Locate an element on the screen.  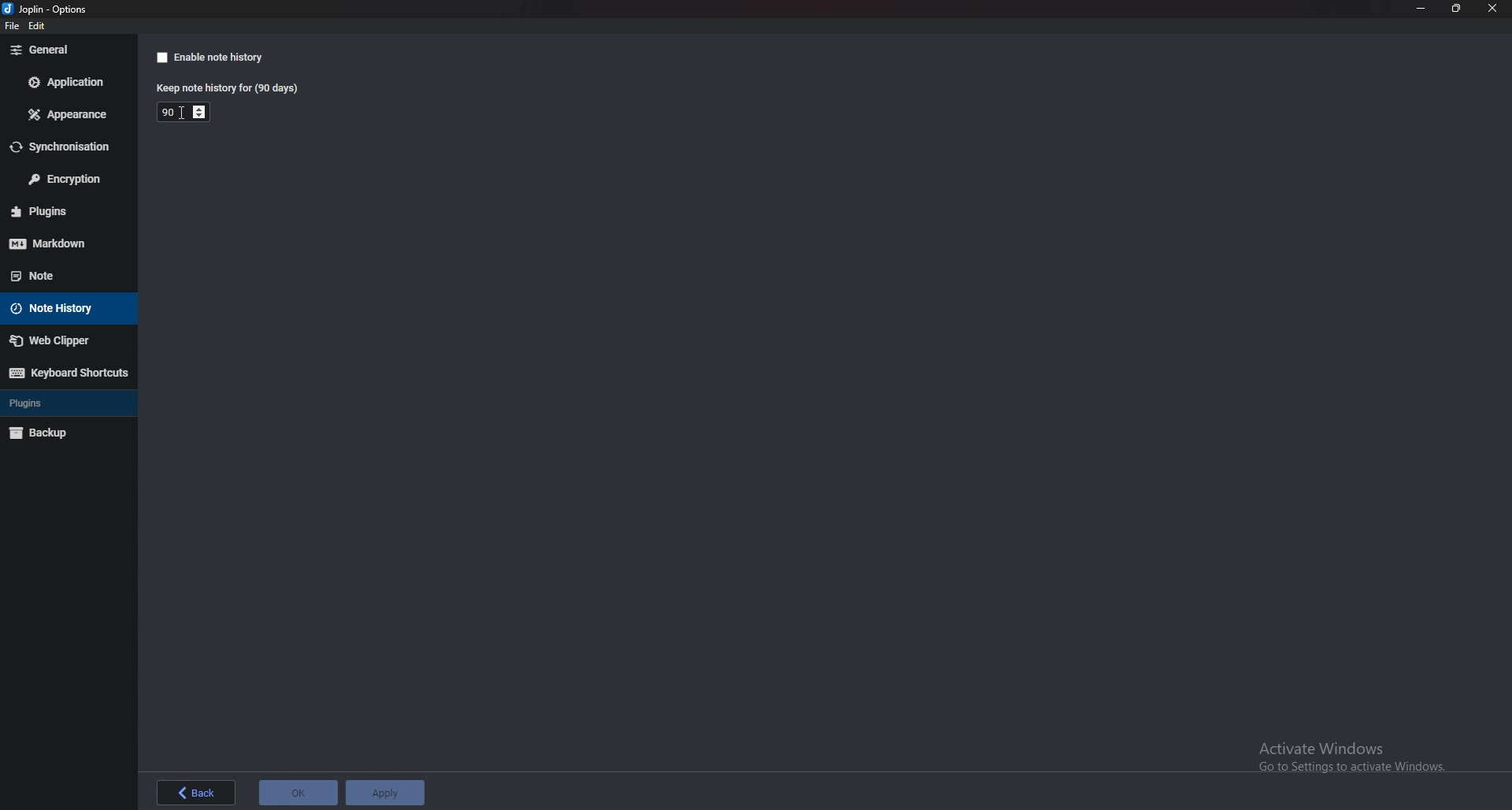
minimize is located at coordinates (1421, 9).